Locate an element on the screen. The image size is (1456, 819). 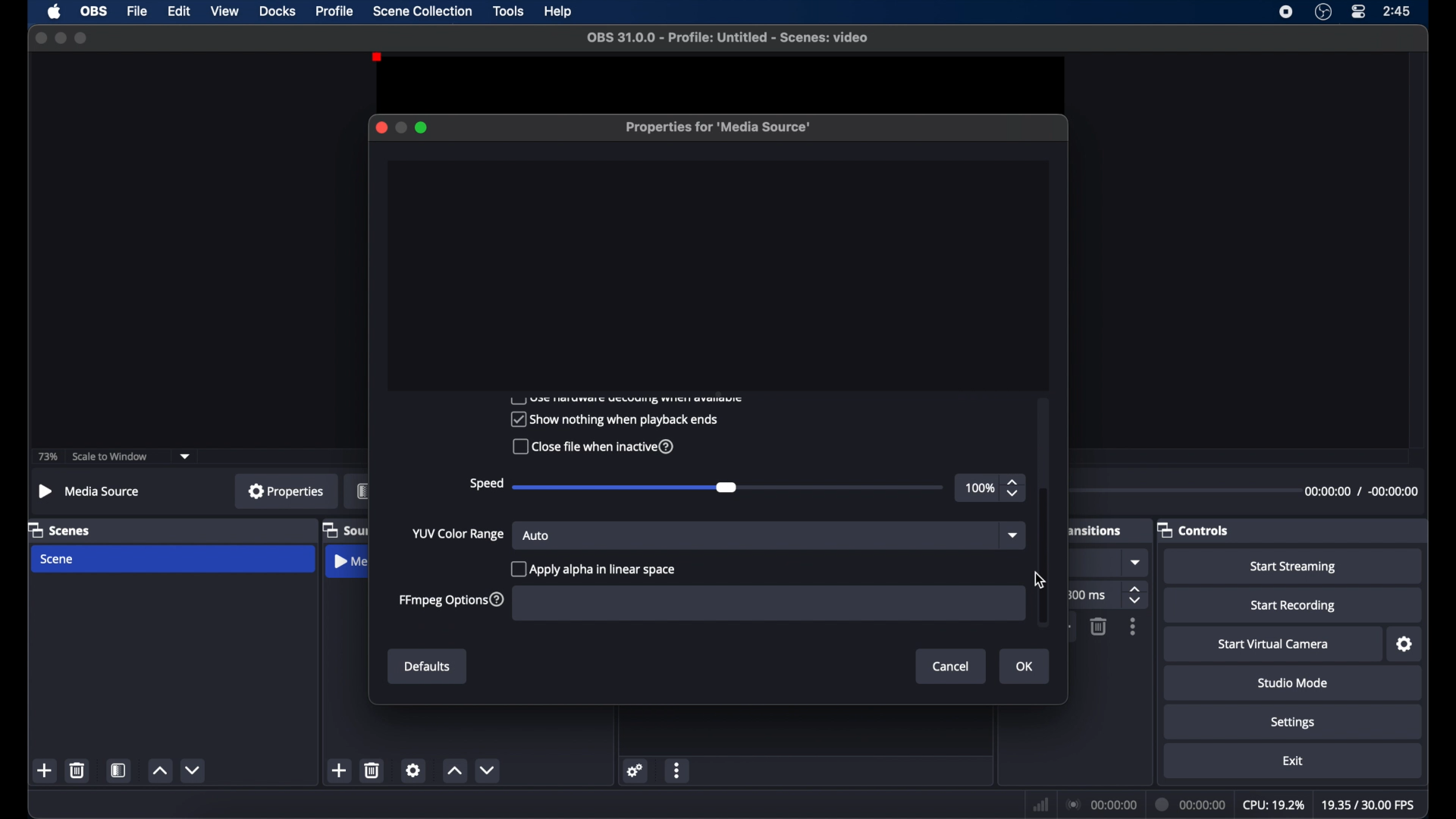
delete is located at coordinates (1097, 626).